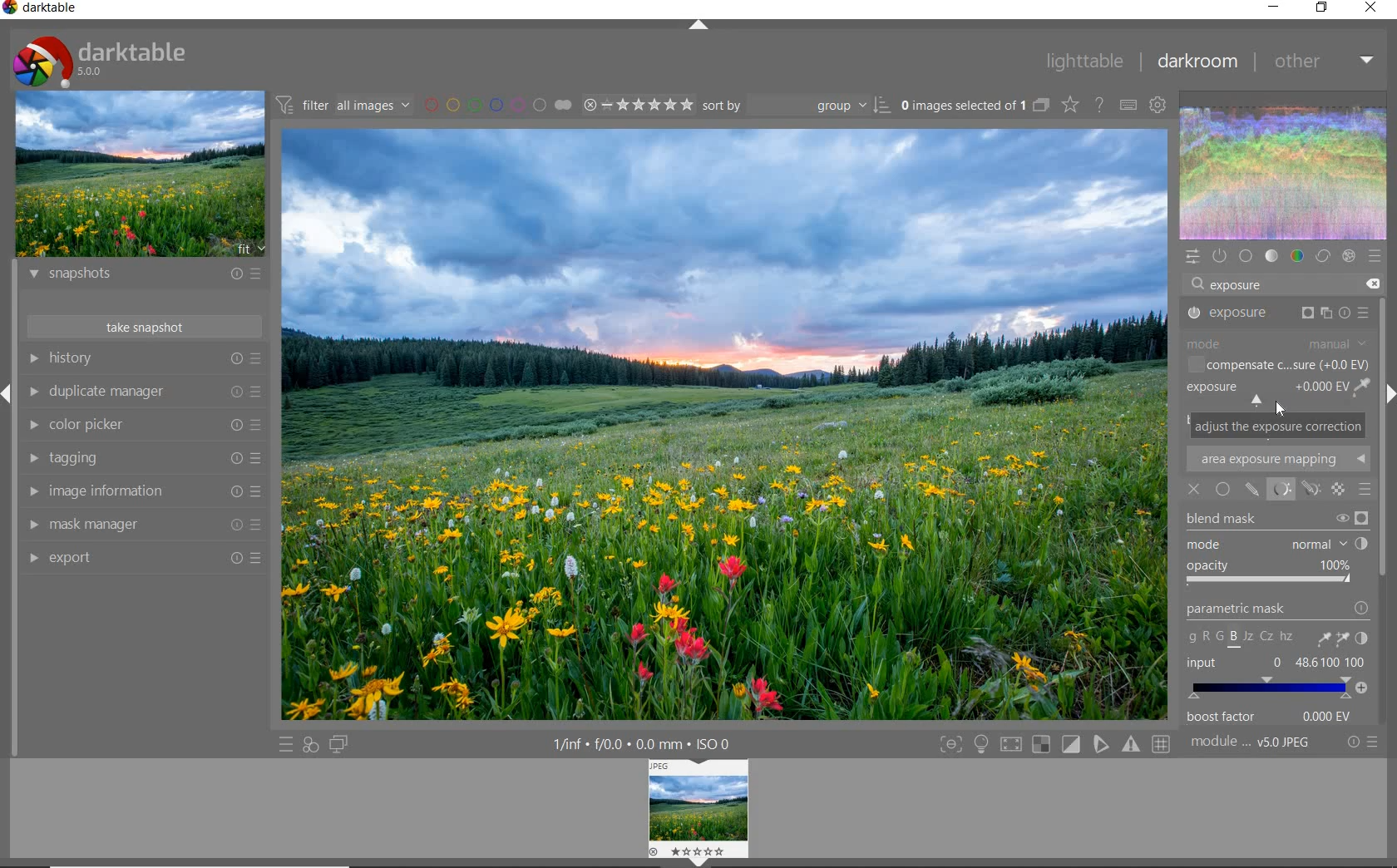  I want to click on quick access for applying any of your styles, so click(309, 746).